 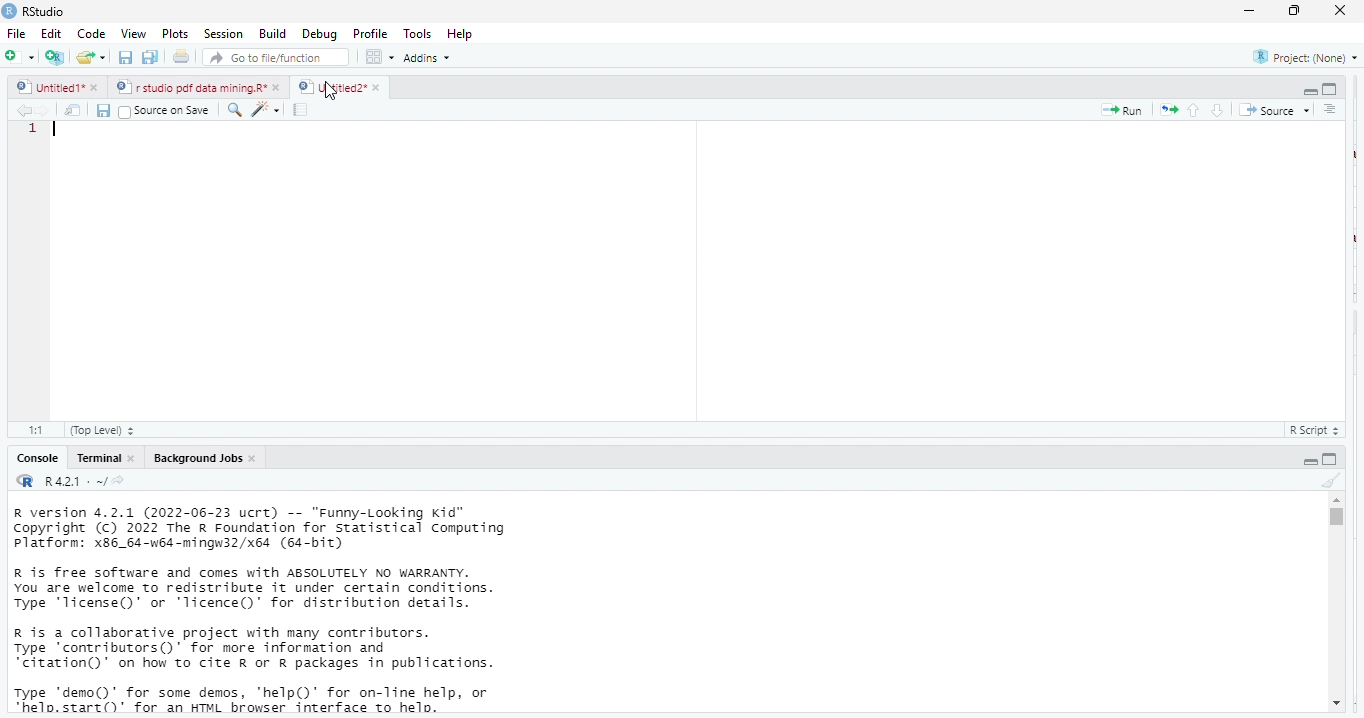 I want to click on maximize, so click(x=1297, y=12).